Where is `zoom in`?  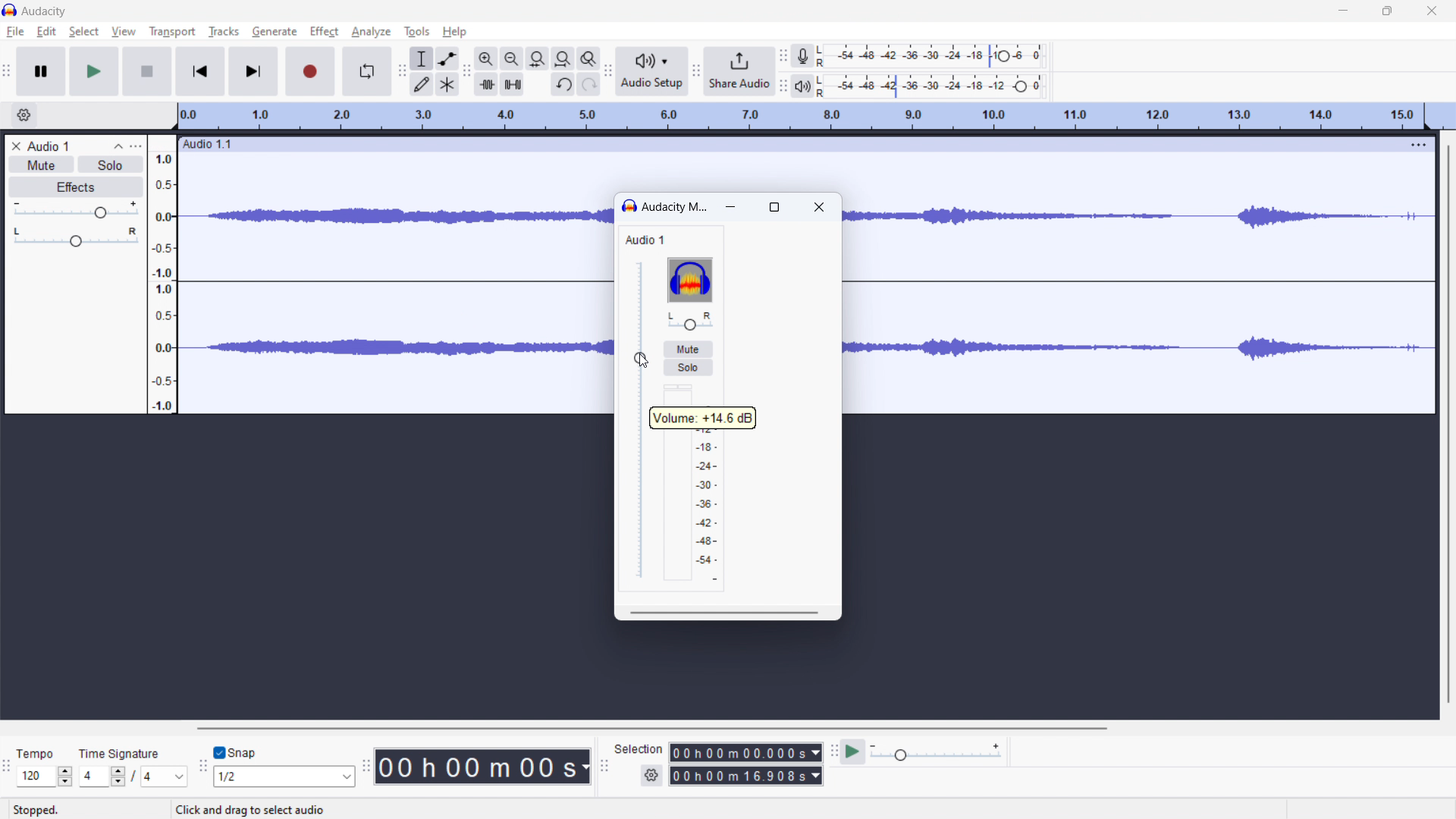 zoom in is located at coordinates (486, 58).